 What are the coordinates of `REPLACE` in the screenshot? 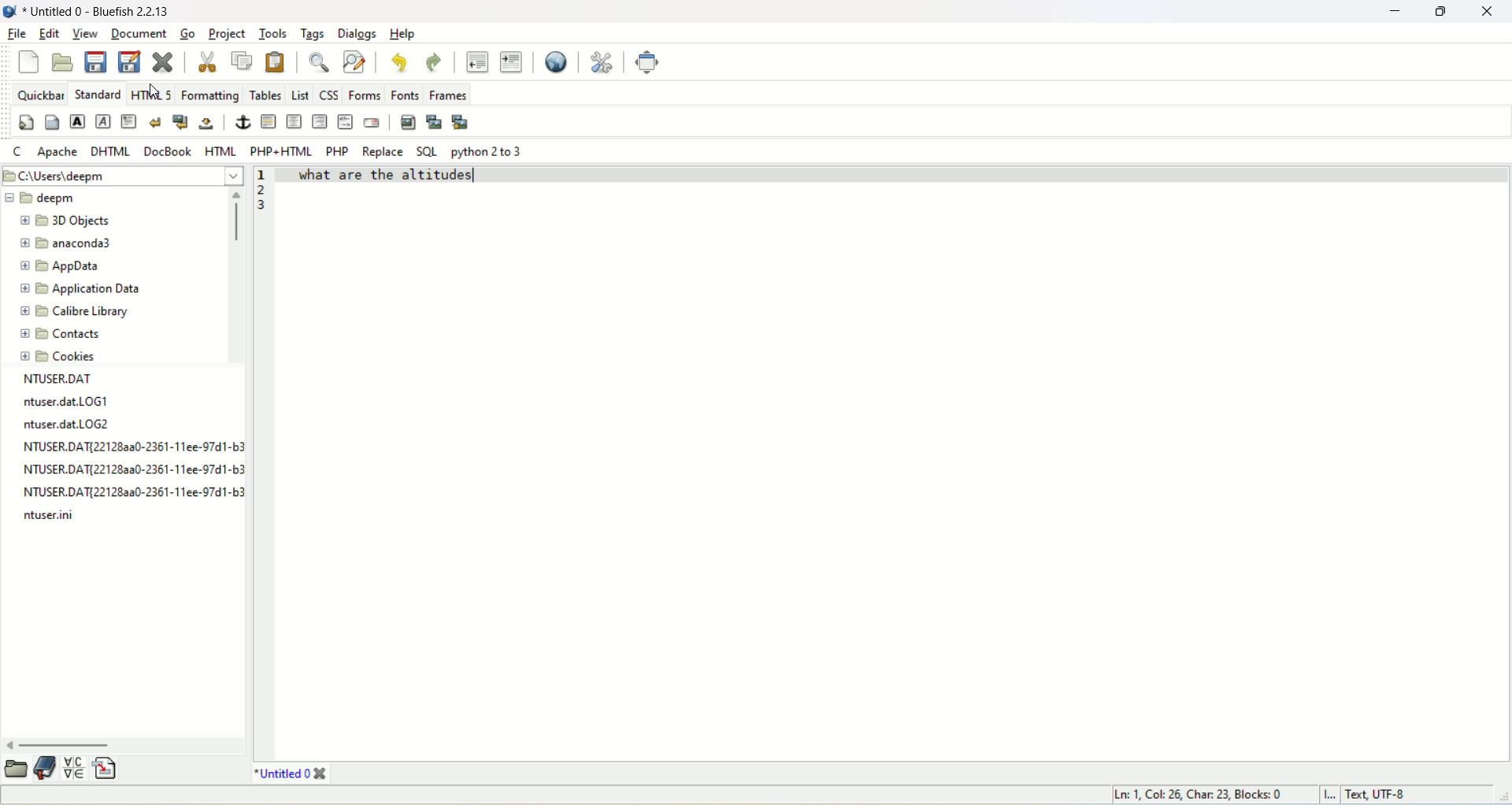 It's located at (384, 150).